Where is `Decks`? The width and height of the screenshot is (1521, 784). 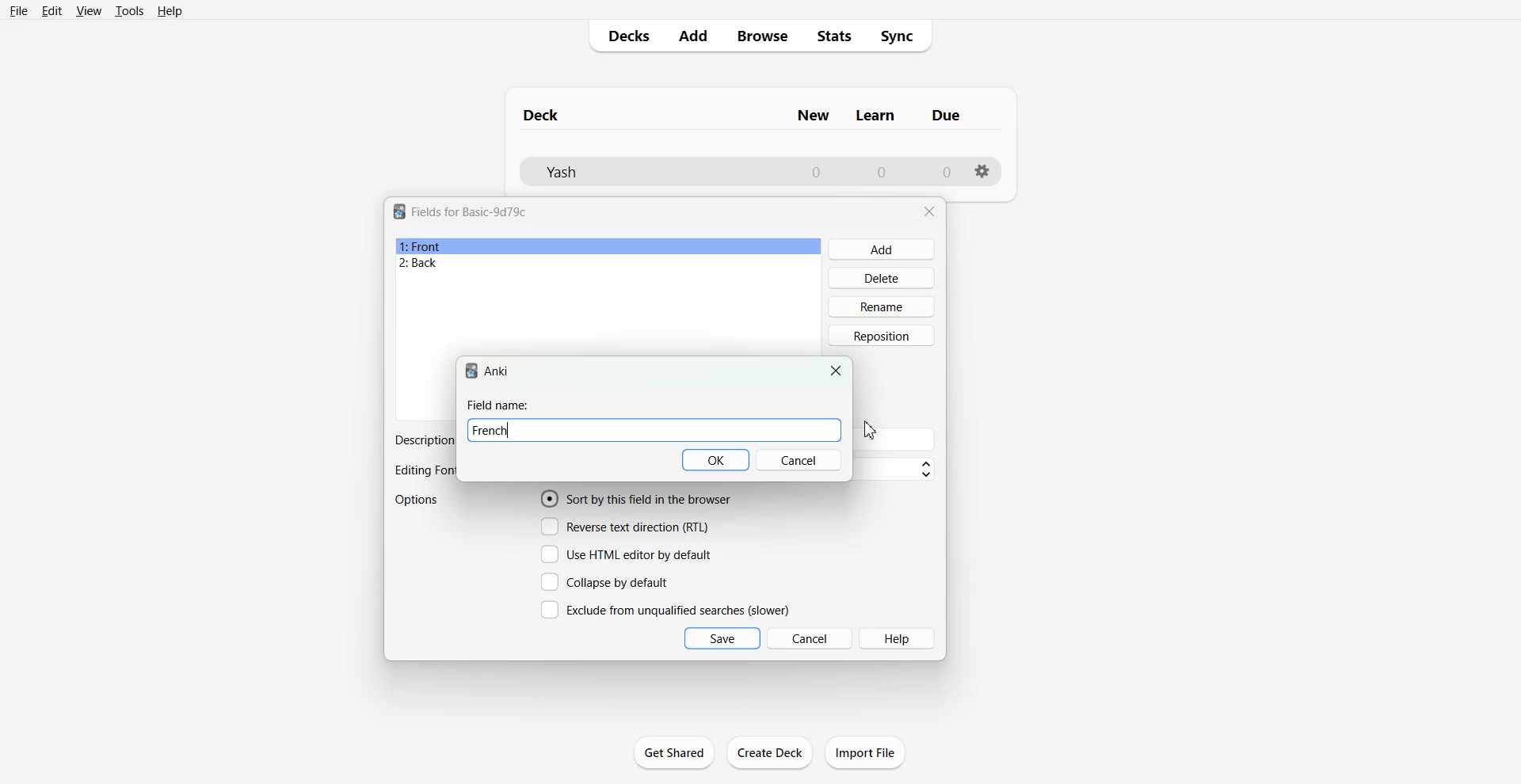 Decks is located at coordinates (623, 36).